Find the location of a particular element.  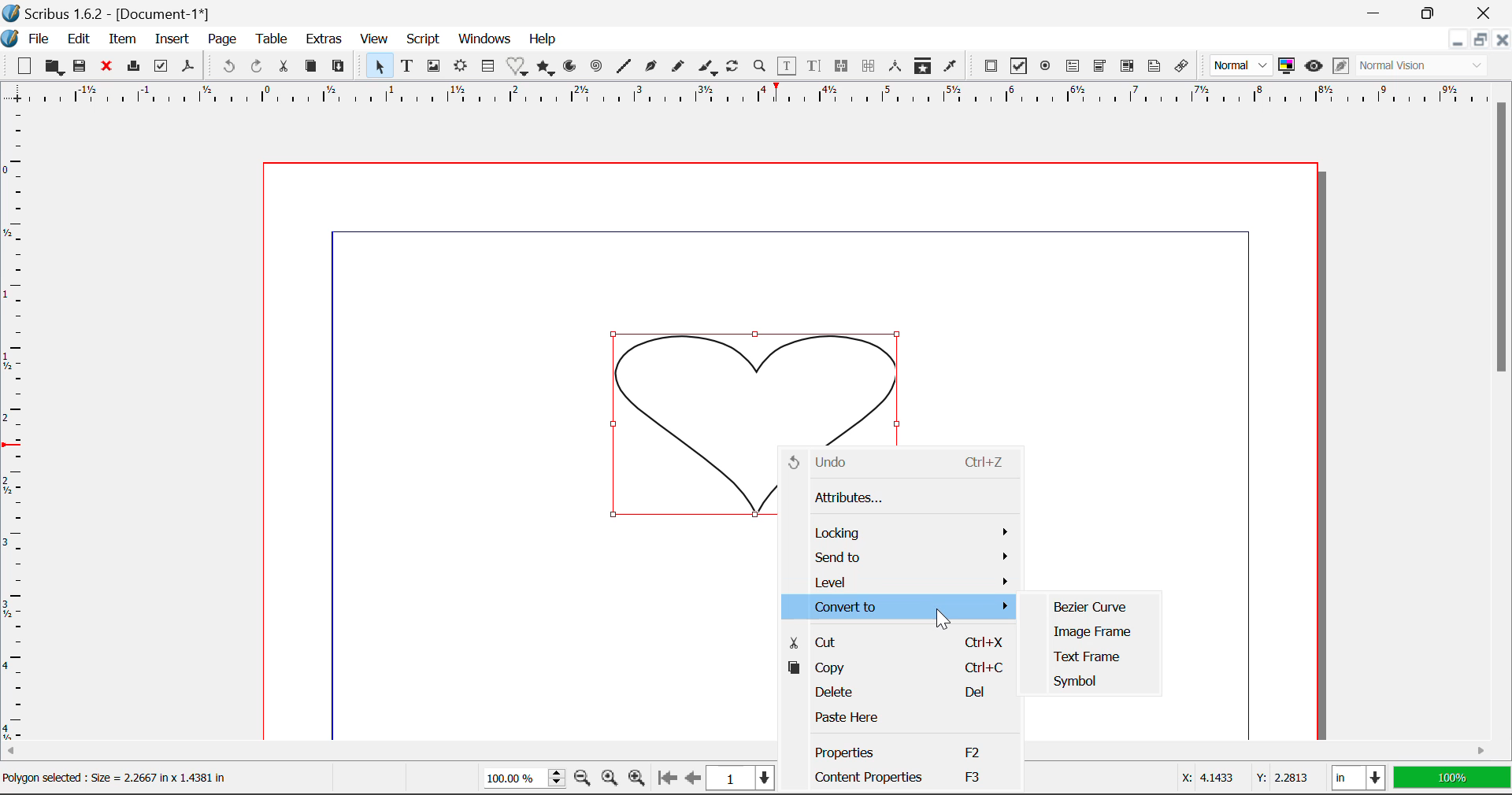

View is located at coordinates (375, 41).